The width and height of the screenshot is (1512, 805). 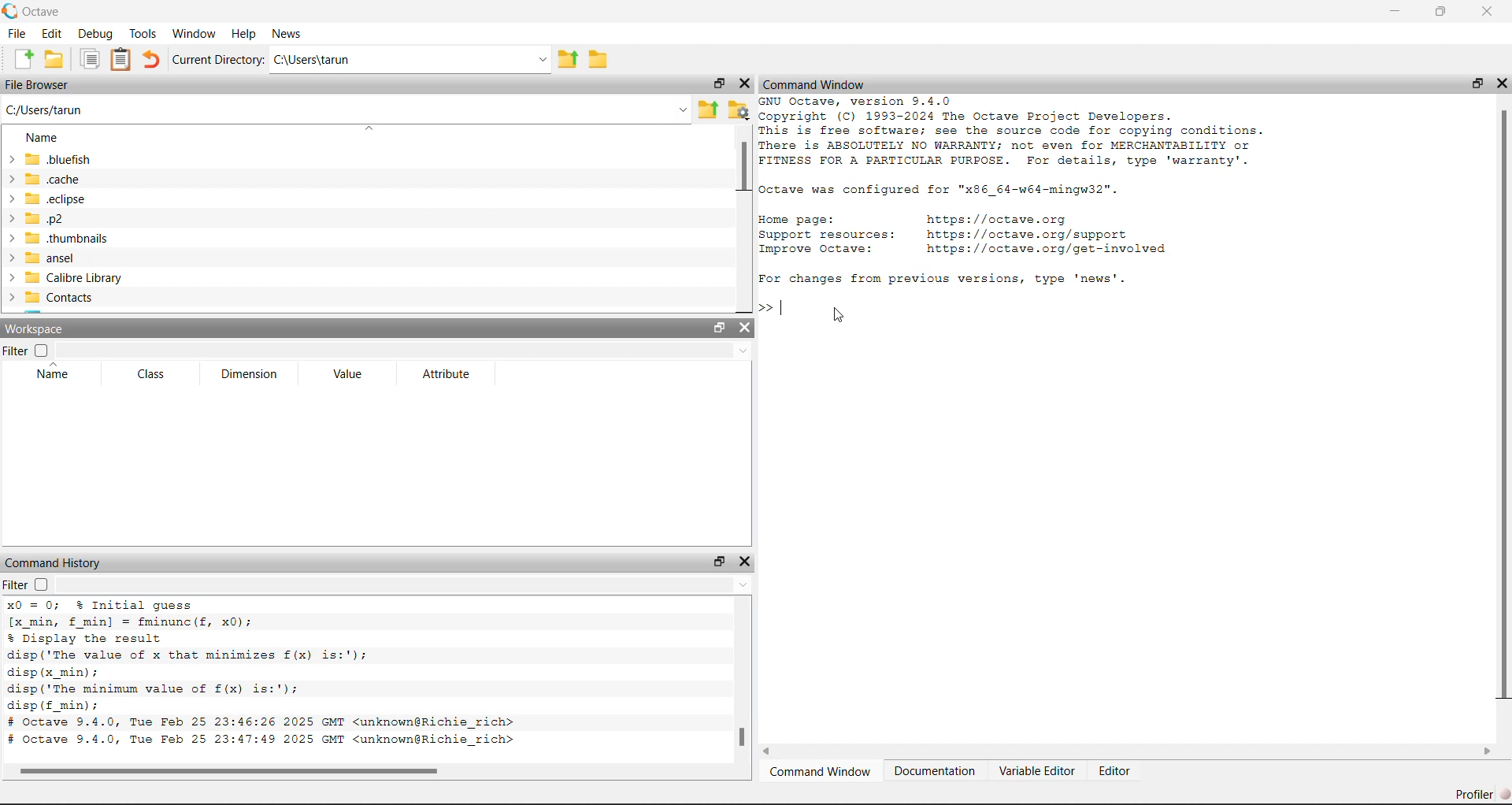 What do you see at coordinates (47, 180) in the screenshot?
I see `> _cache` at bounding box center [47, 180].